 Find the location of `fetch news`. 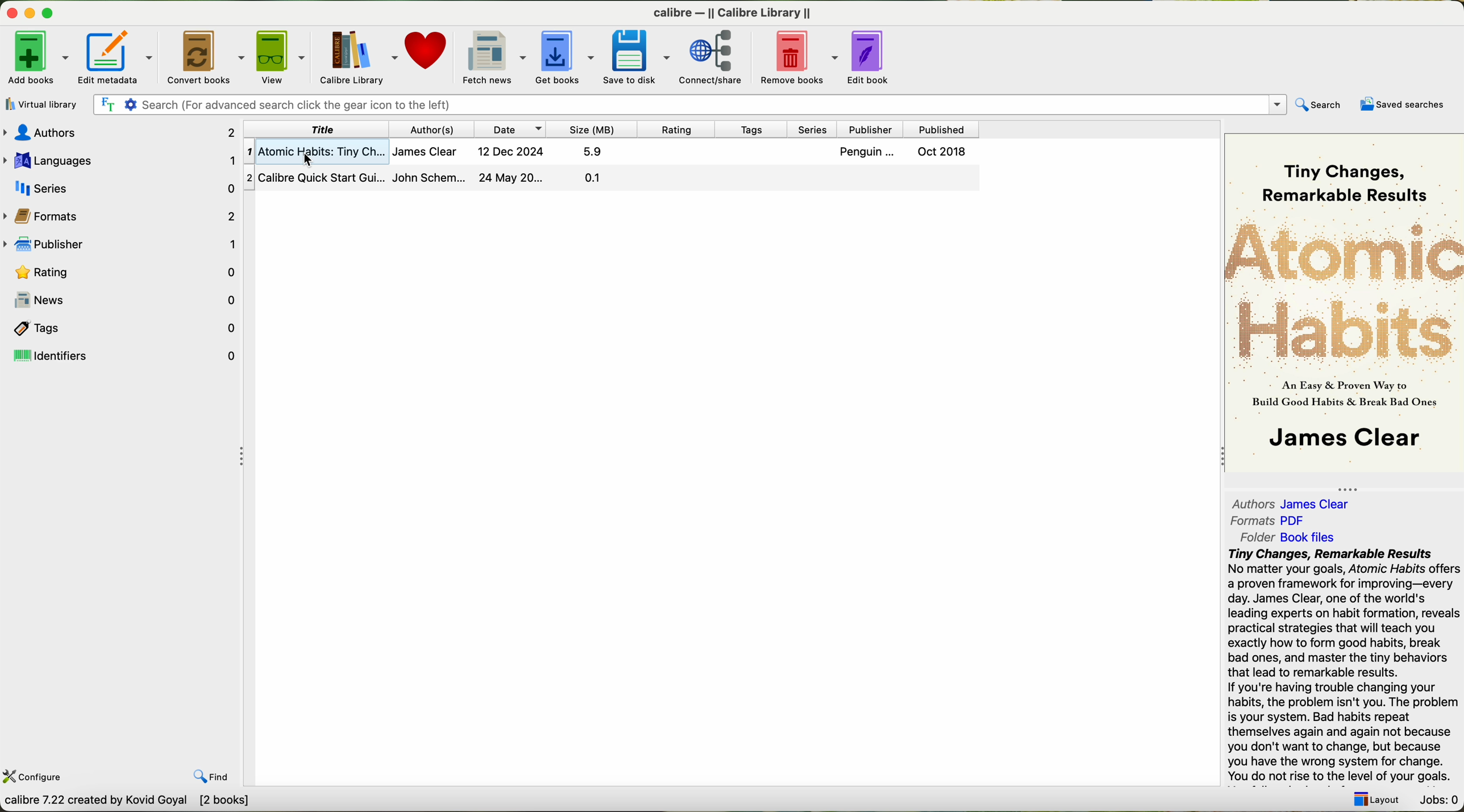

fetch news is located at coordinates (495, 56).